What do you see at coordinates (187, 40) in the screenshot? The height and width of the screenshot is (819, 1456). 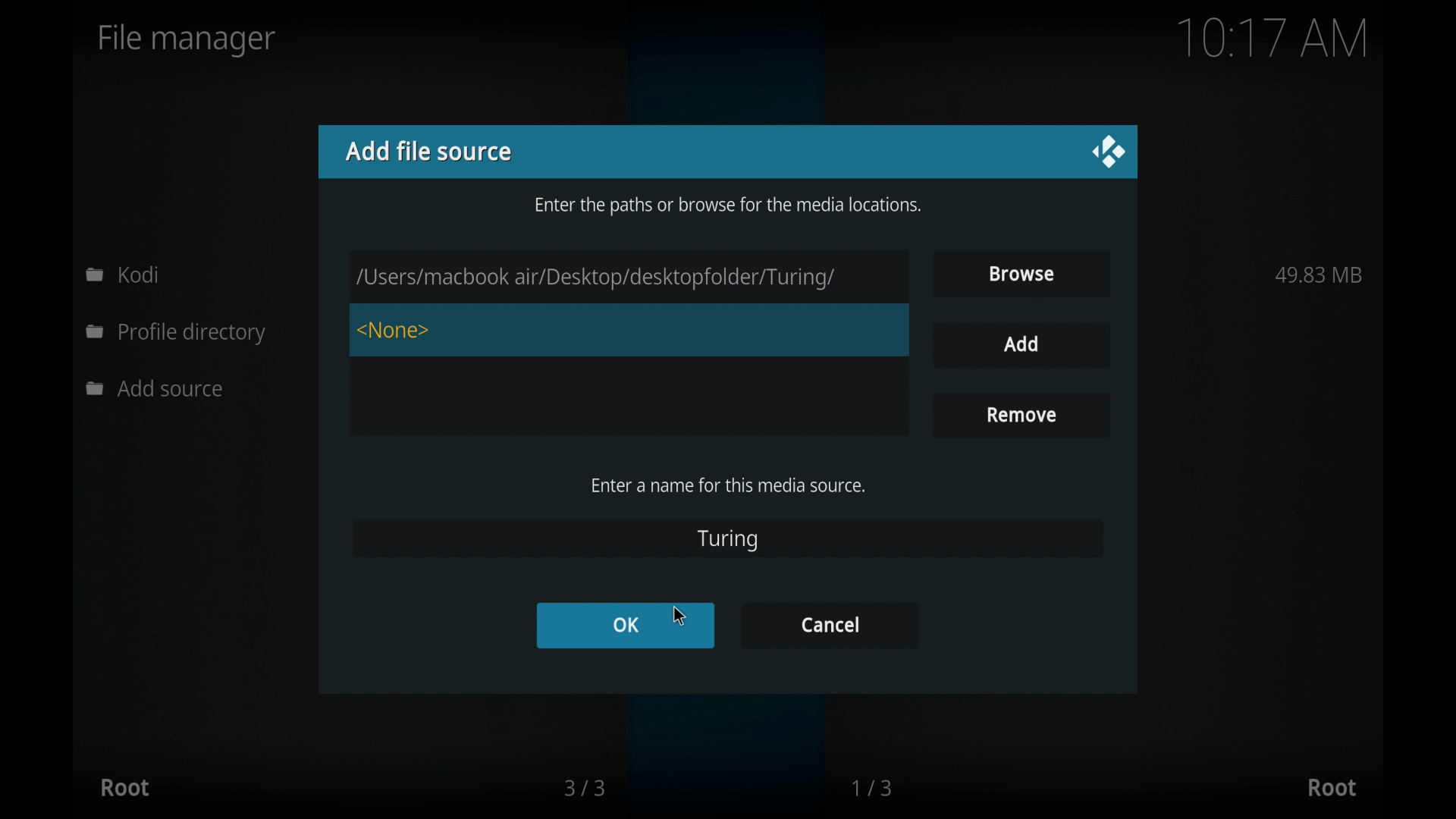 I see `file manager` at bounding box center [187, 40].